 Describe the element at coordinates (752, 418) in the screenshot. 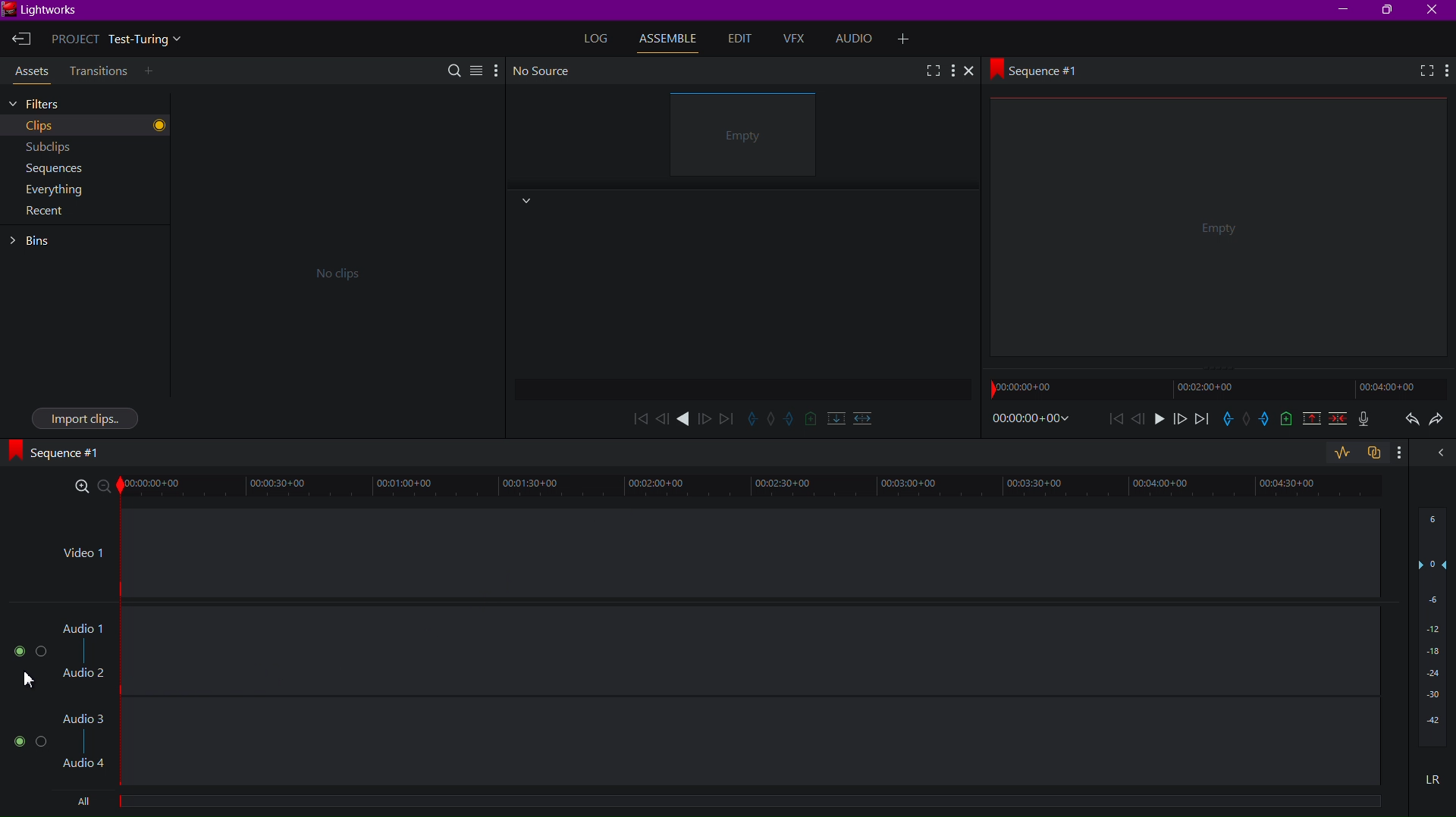

I see `expand edit` at that location.